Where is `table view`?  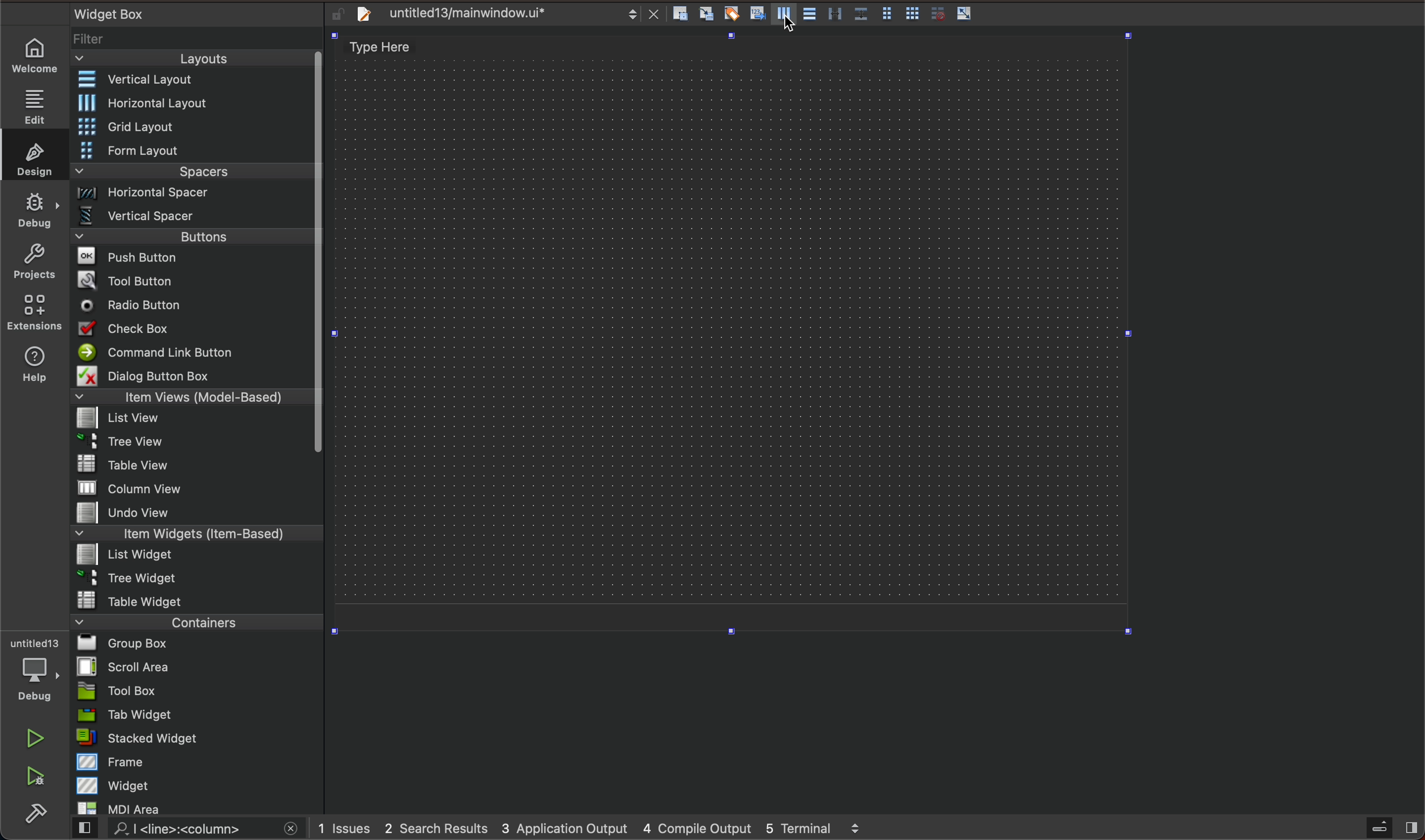 table view is located at coordinates (191, 465).